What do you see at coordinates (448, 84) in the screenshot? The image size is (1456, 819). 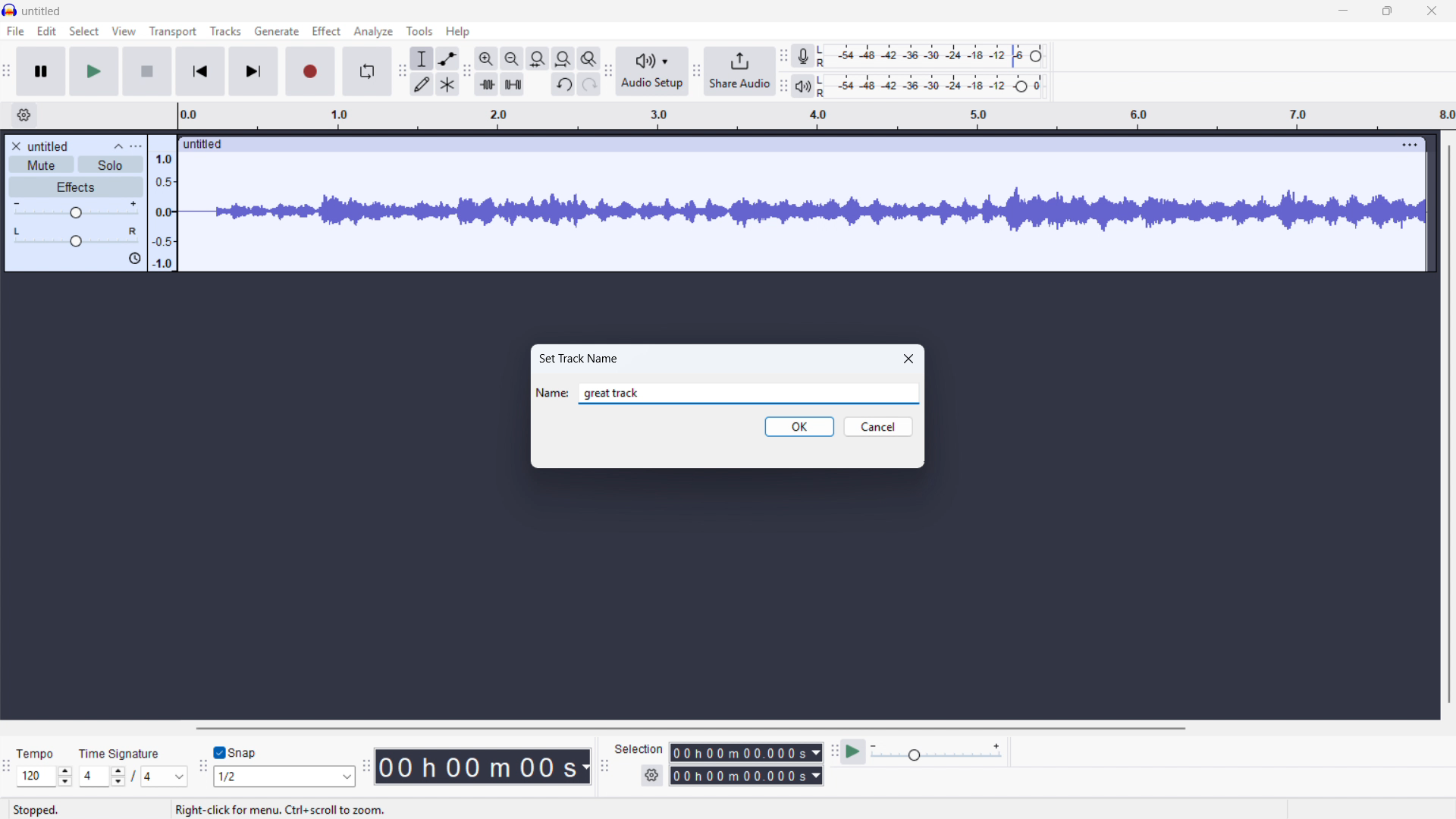 I see `Multi - tool ` at bounding box center [448, 84].